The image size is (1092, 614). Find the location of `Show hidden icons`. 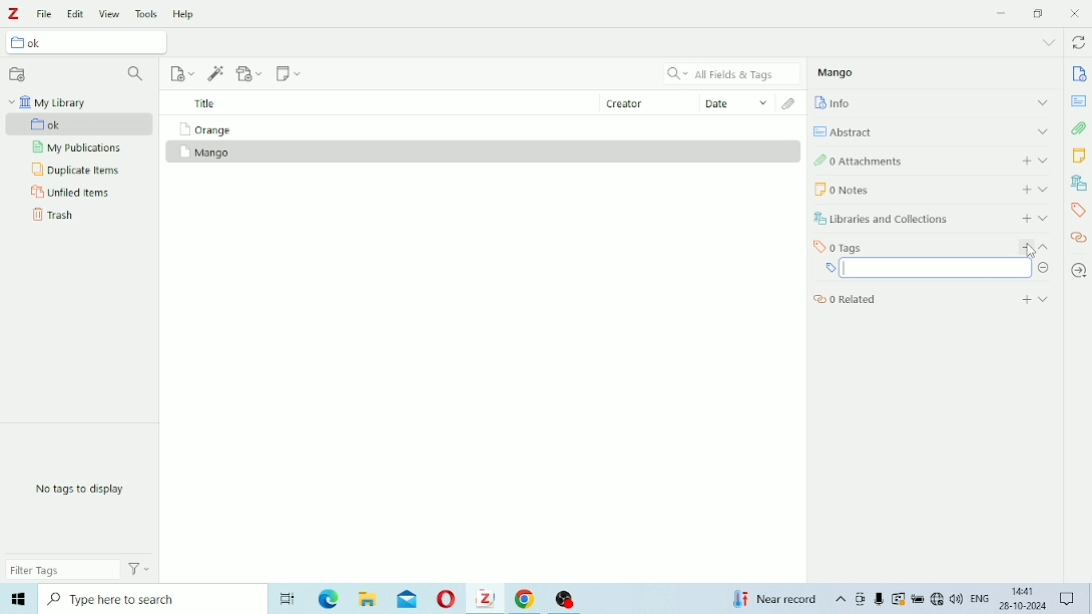

Show hidden icons is located at coordinates (841, 600).